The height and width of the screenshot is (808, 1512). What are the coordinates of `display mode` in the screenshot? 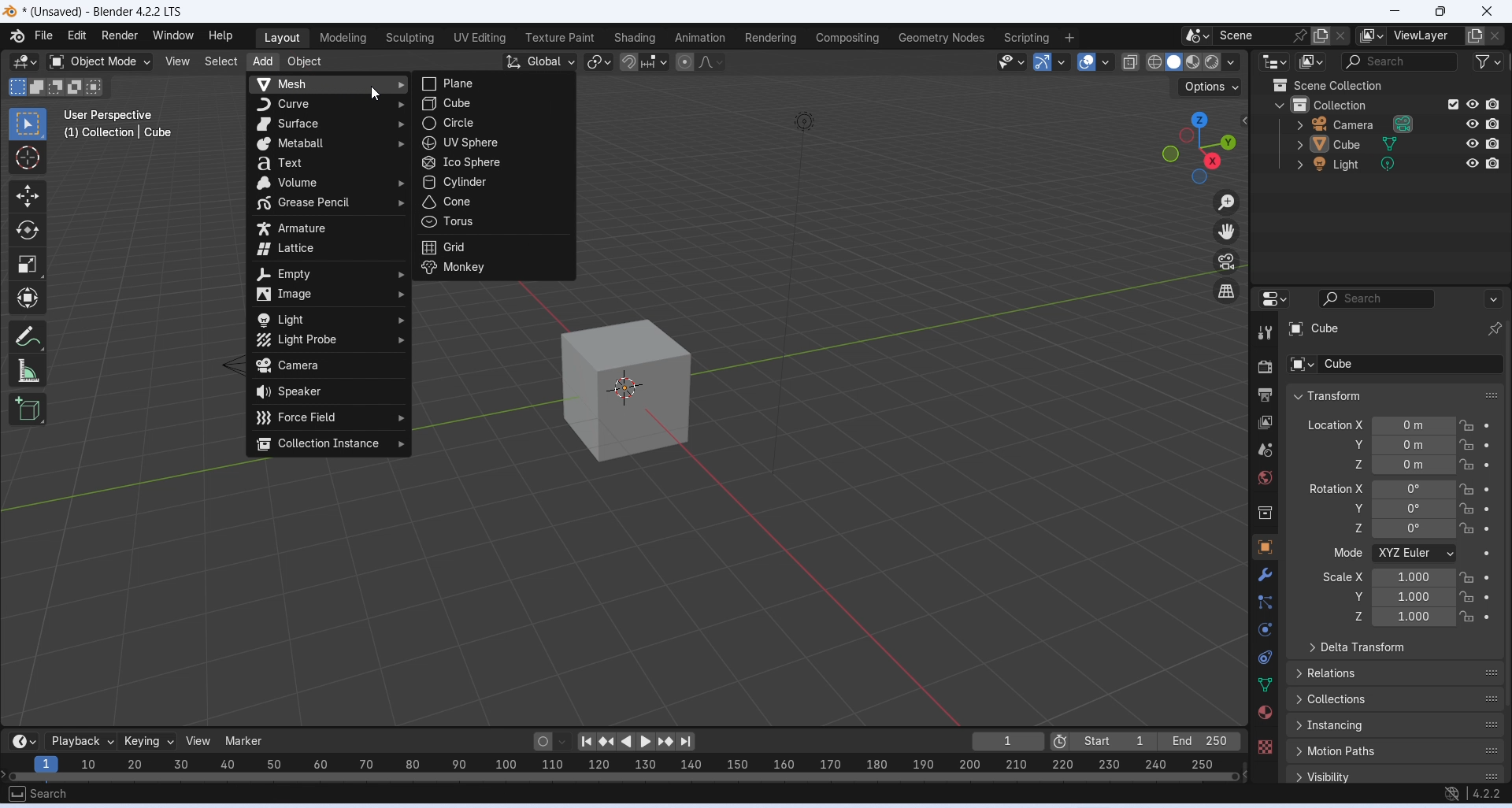 It's located at (1312, 61).